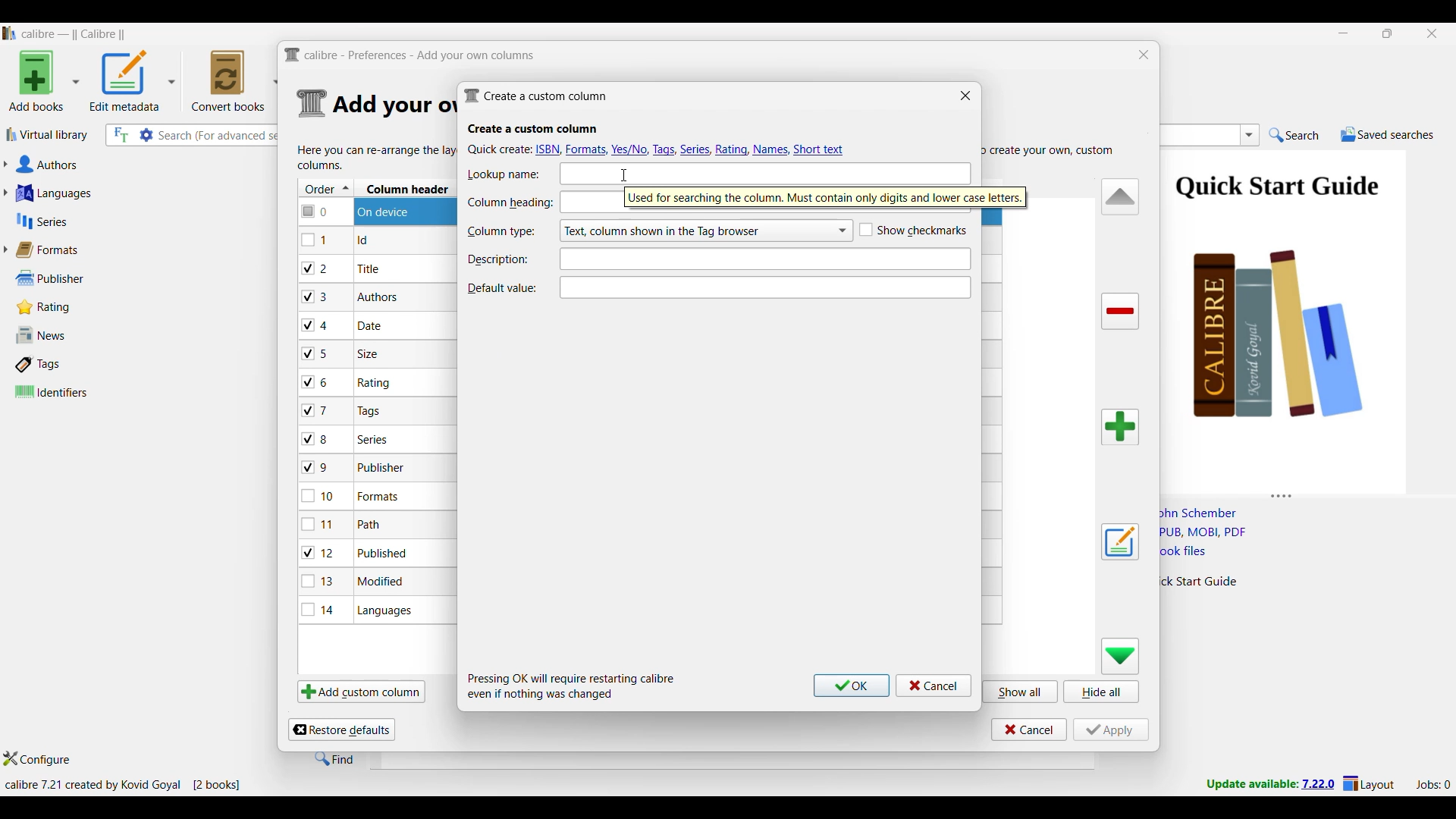  I want to click on Move row down, so click(1121, 656).